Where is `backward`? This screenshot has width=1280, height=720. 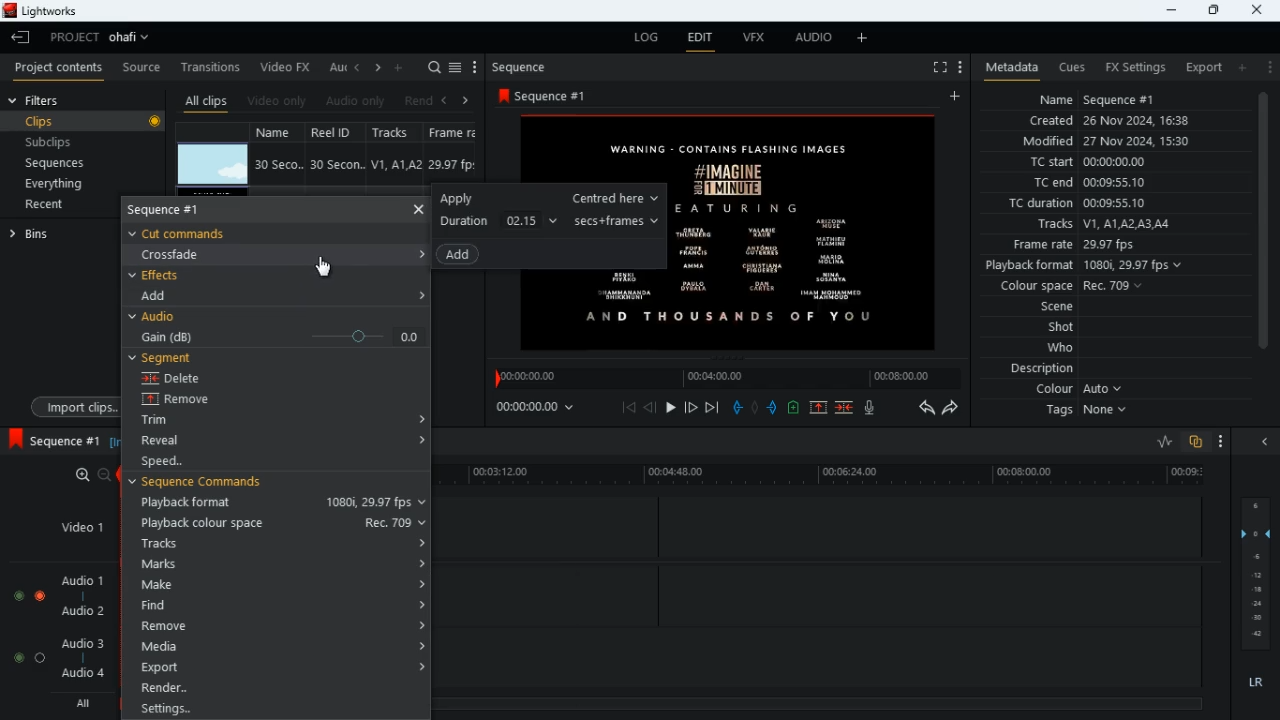
backward is located at coordinates (926, 407).